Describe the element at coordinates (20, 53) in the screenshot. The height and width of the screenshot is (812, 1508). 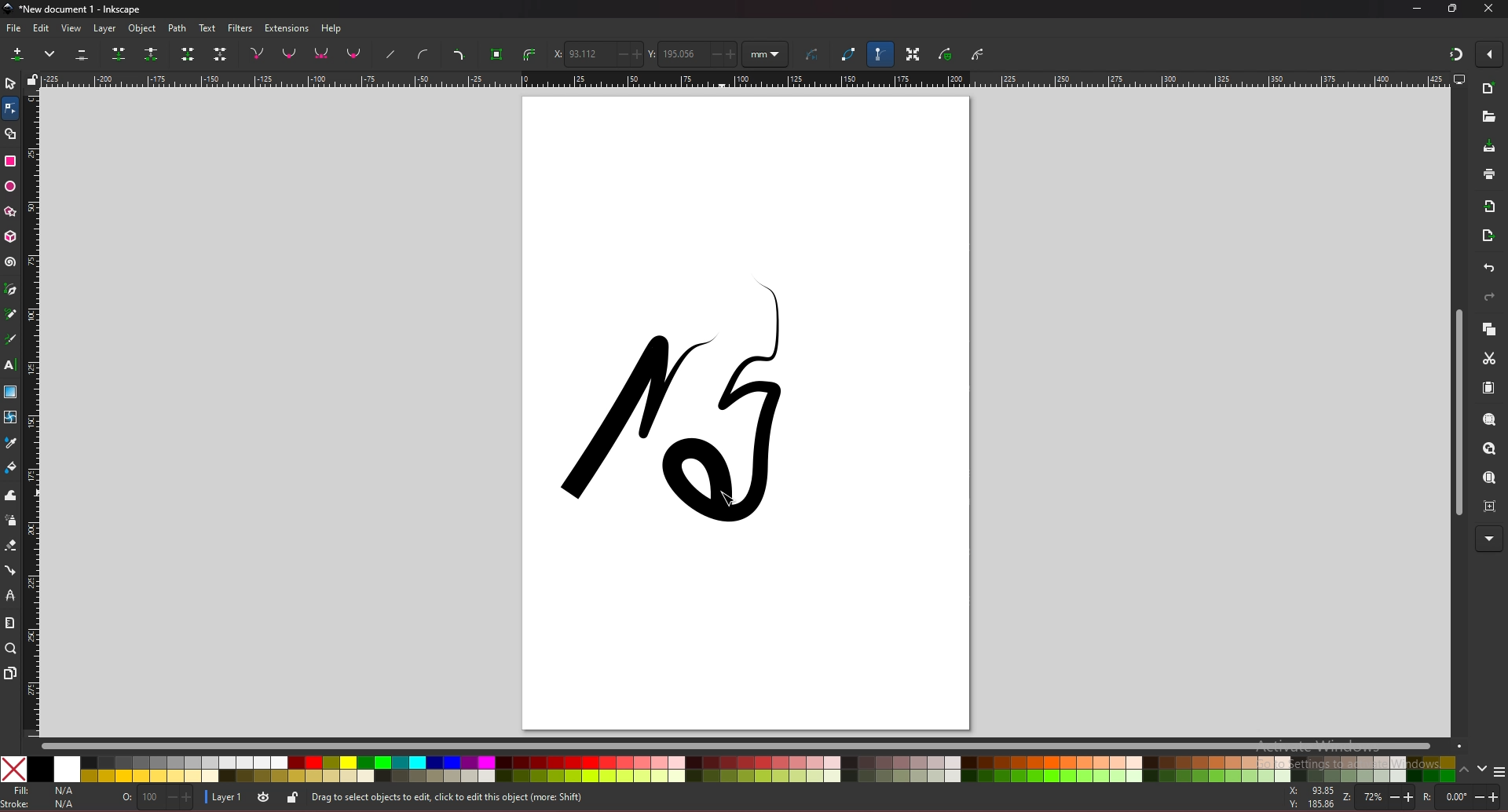
I see `add node` at that location.